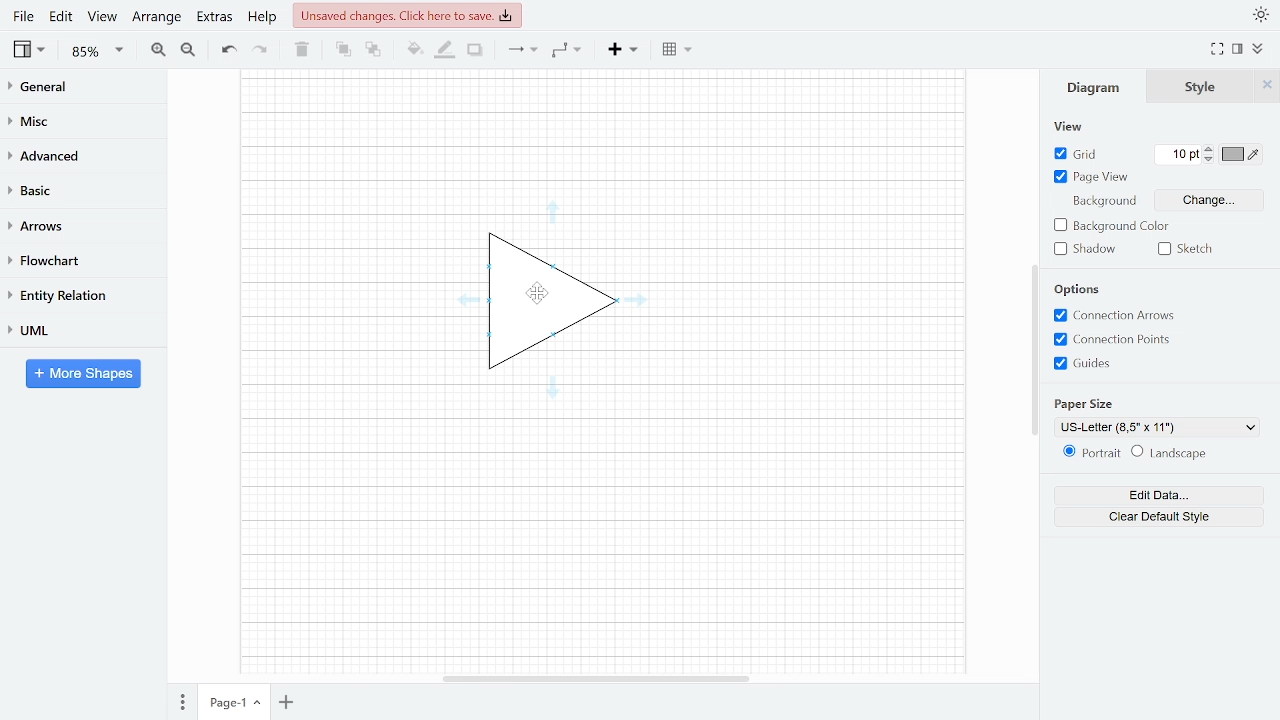  I want to click on Pages, so click(178, 704).